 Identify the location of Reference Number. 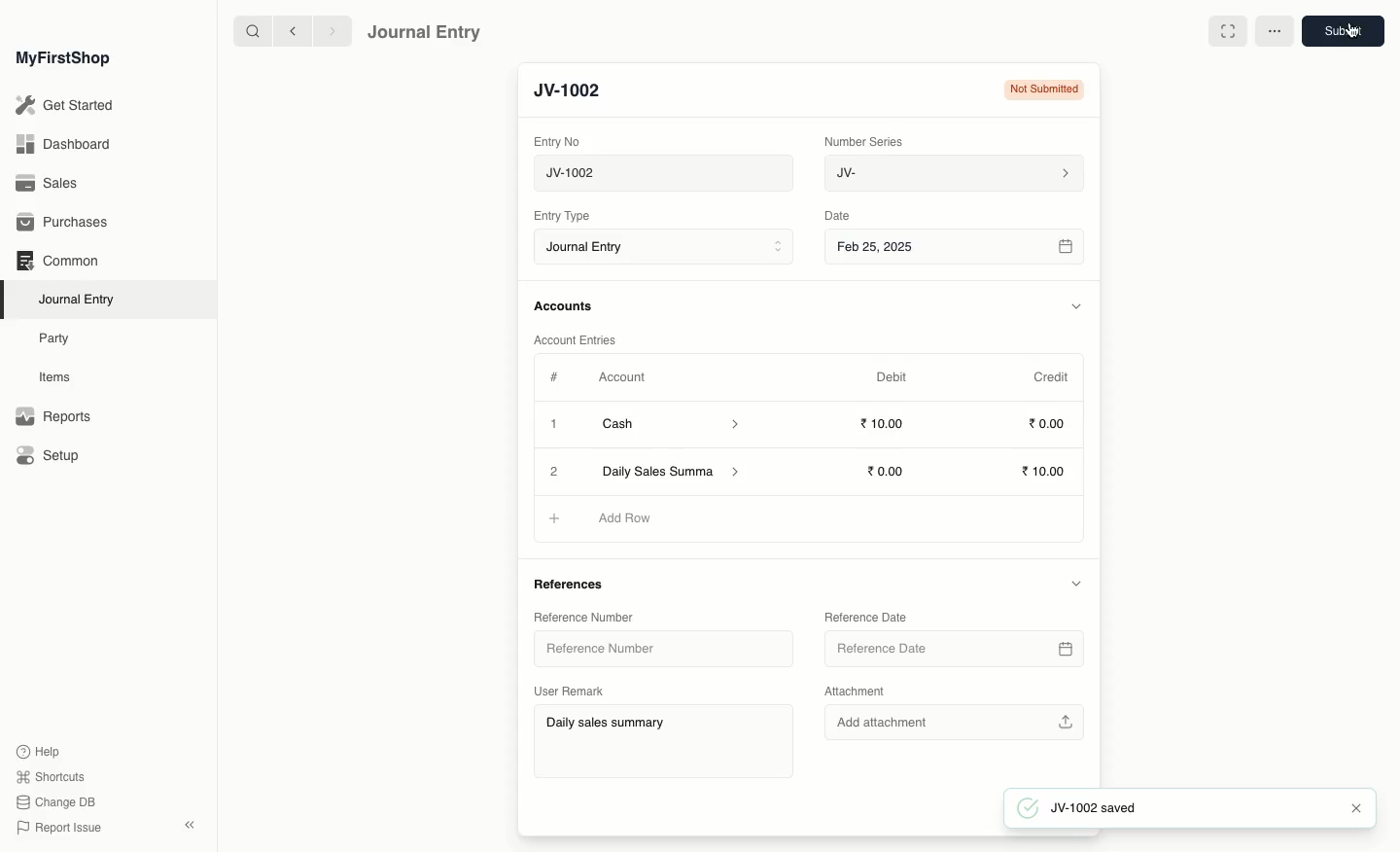
(581, 616).